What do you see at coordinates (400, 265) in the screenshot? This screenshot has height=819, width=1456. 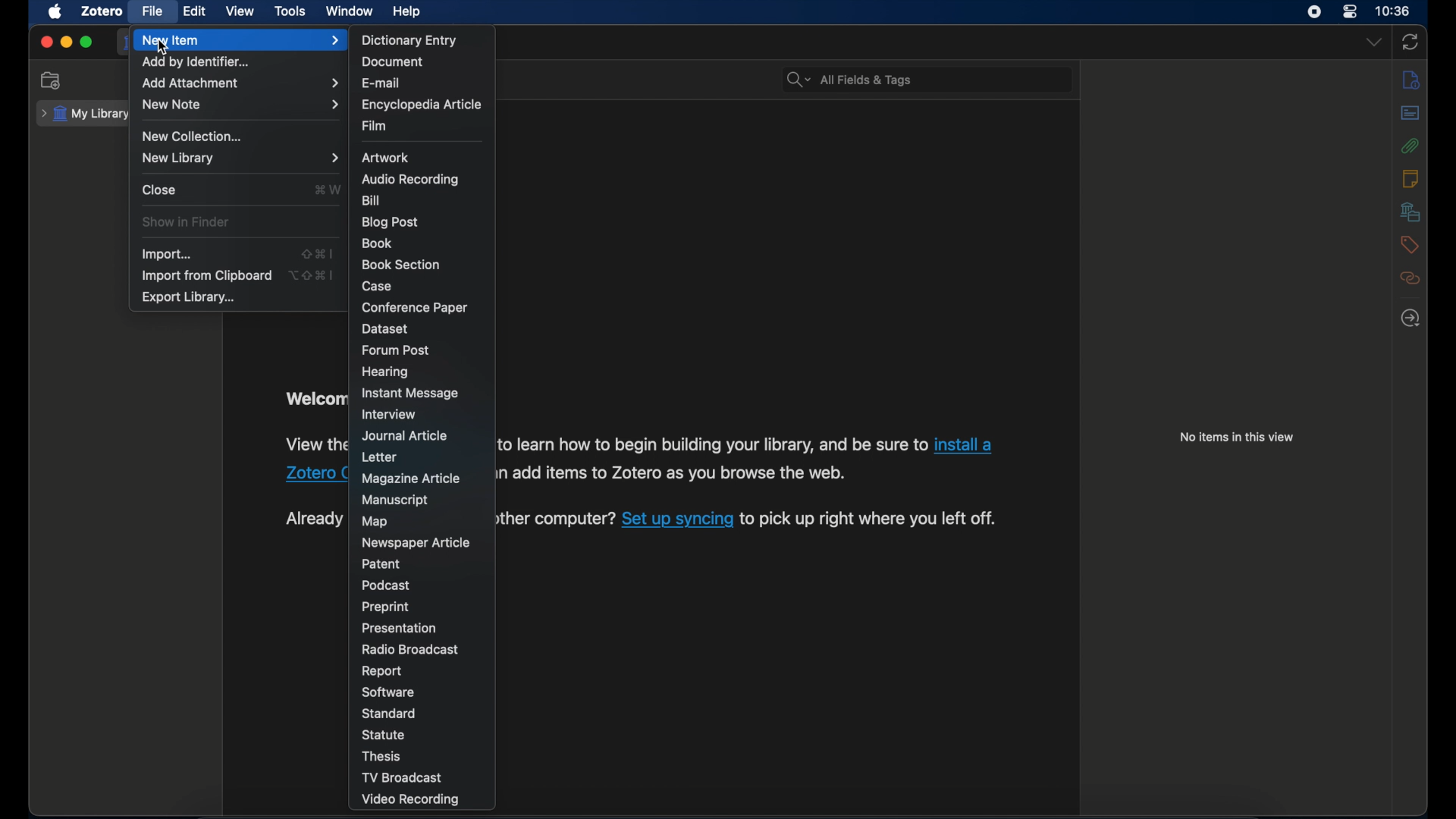 I see `book section` at bounding box center [400, 265].